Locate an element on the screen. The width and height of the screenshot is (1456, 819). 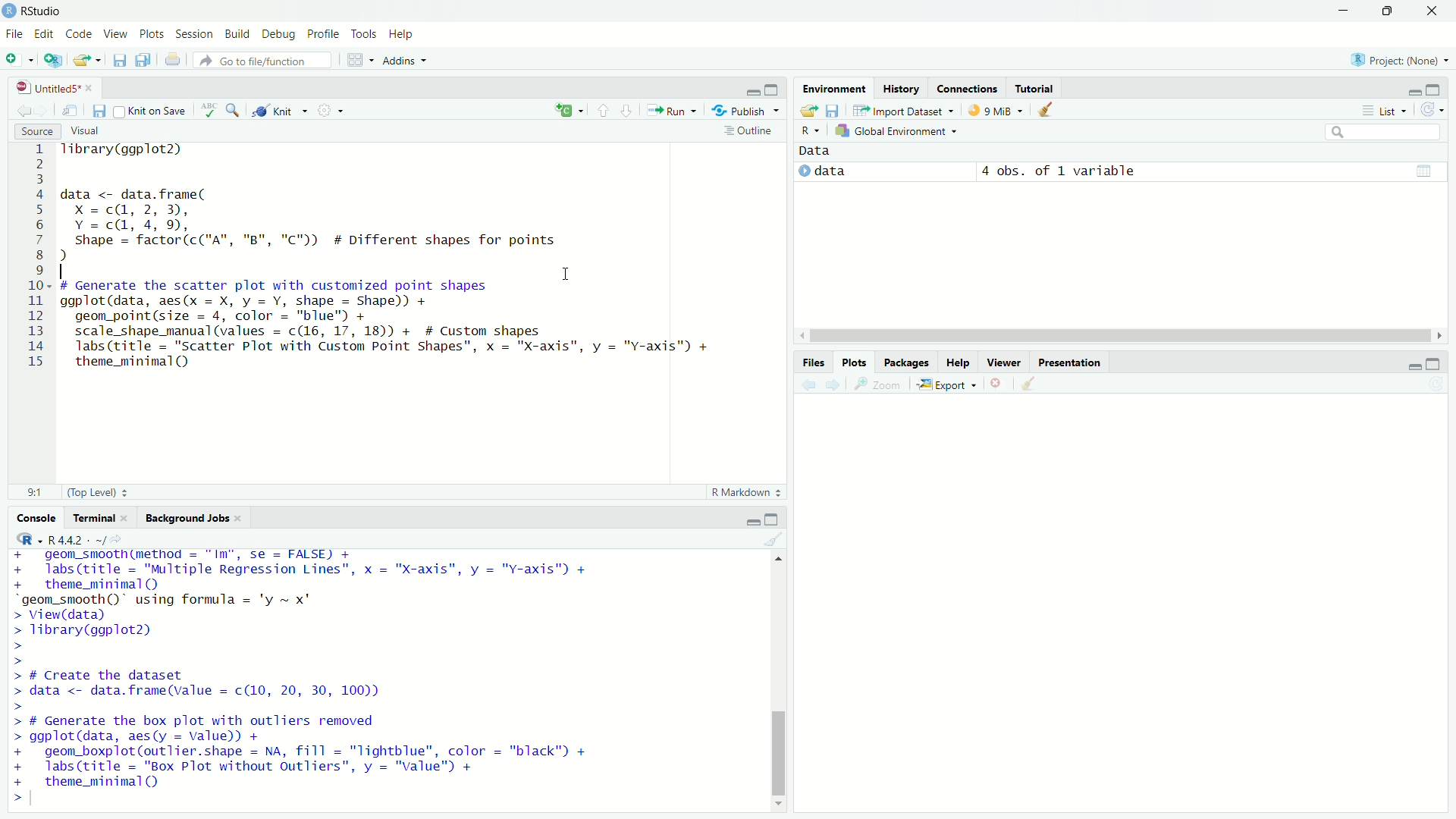
List is located at coordinates (1382, 109).